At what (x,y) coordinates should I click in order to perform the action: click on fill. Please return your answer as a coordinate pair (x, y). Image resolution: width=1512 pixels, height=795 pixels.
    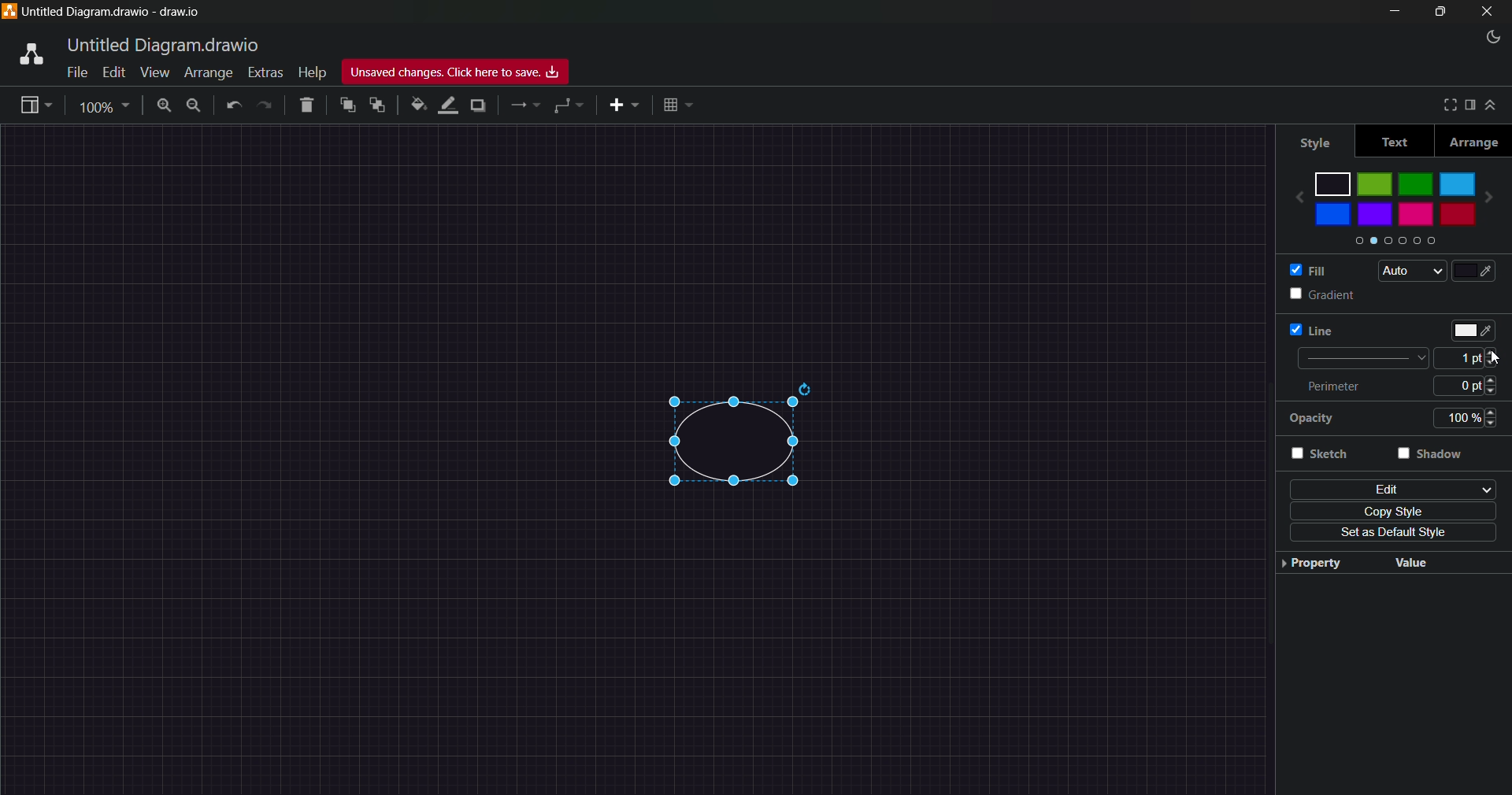
    Looking at the image, I should click on (1315, 271).